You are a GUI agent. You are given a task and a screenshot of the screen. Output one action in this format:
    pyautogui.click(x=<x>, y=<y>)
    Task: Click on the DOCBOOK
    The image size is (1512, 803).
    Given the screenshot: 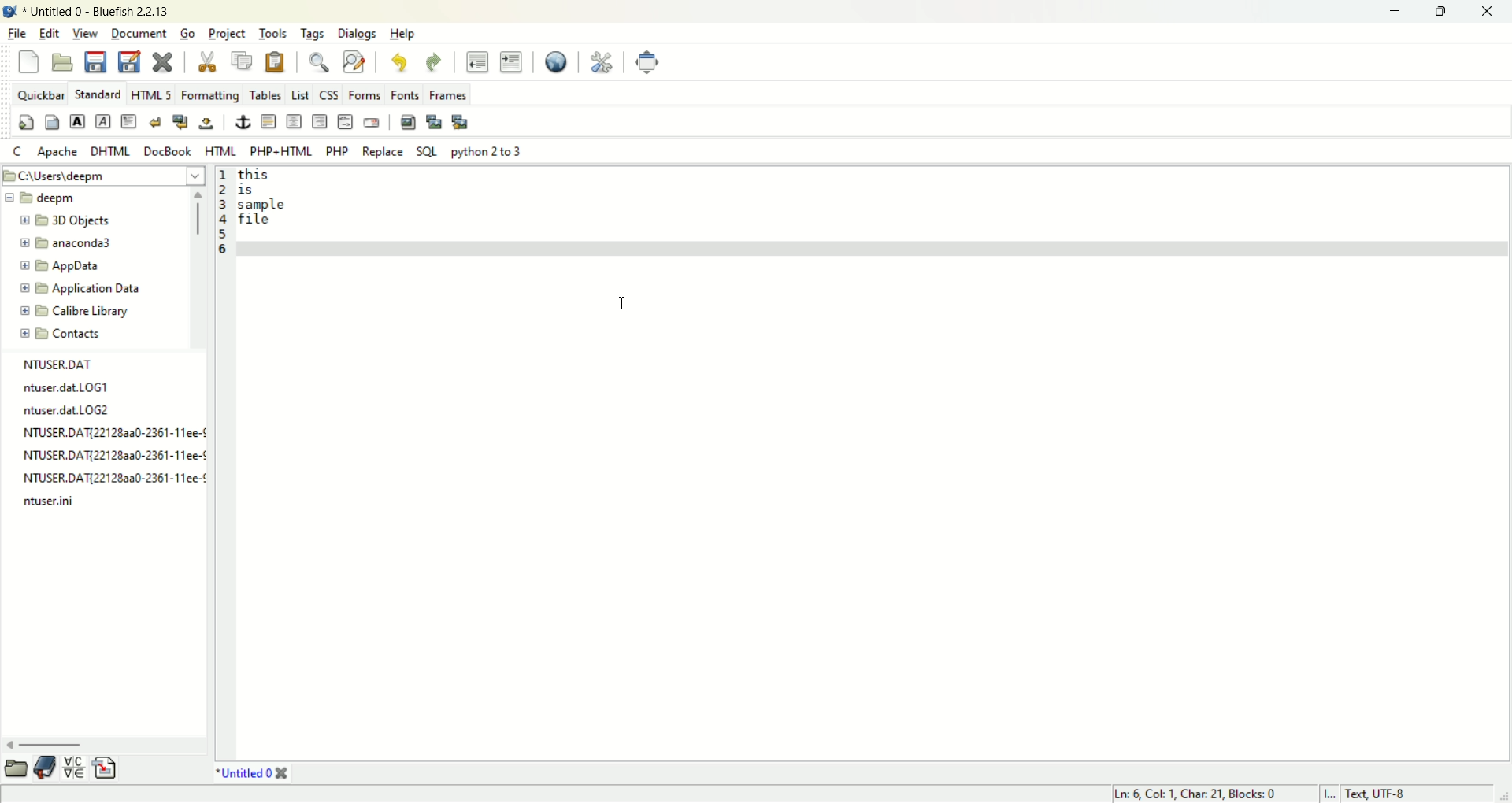 What is the action you would take?
    pyautogui.click(x=167, y=151)
    